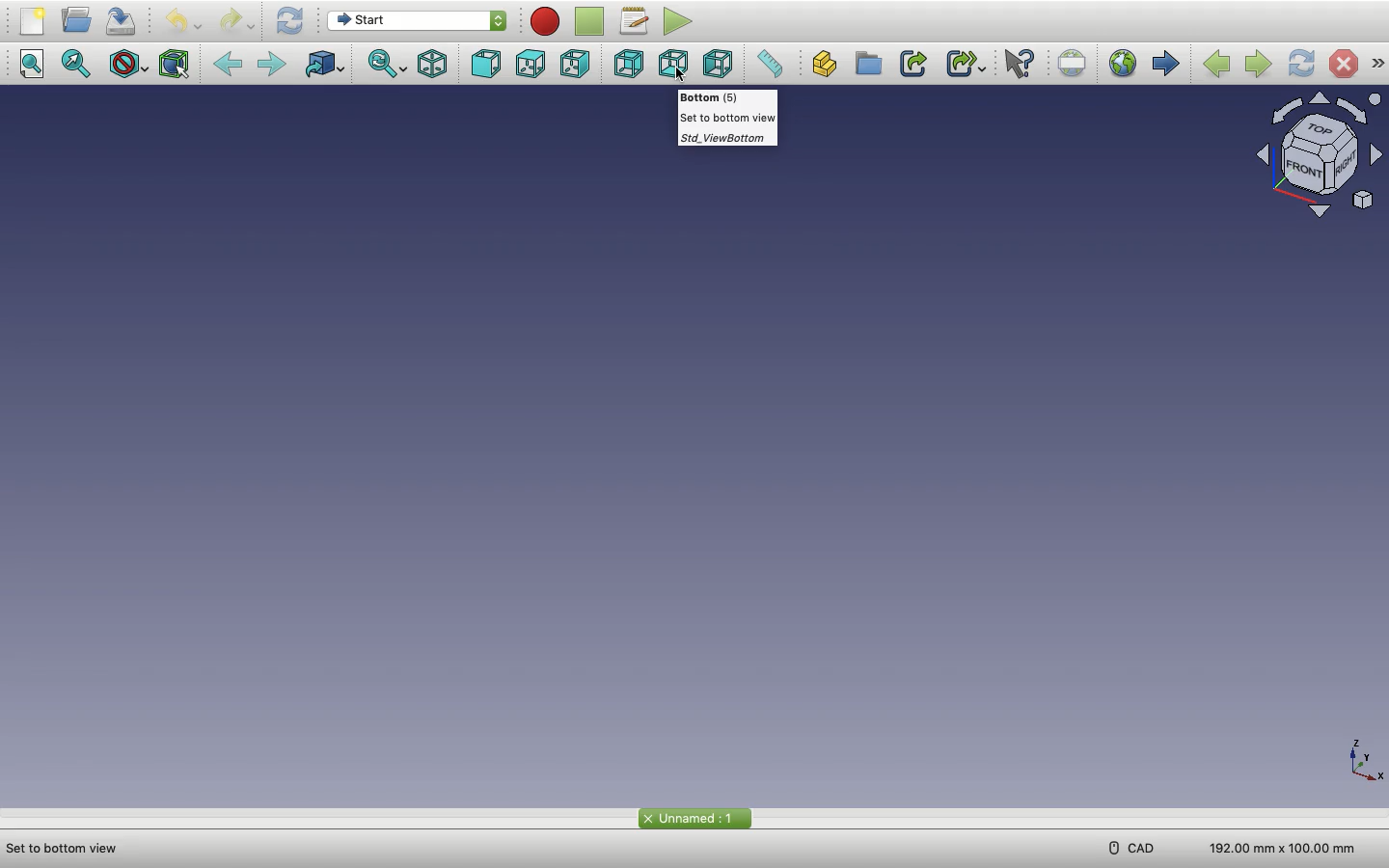 Image resolution: width=1389 pixels, height=868 pixels. What do you see at coordinates (628, 66) in the screenshot?
I see `Rear` at bounding box center [628, 66].